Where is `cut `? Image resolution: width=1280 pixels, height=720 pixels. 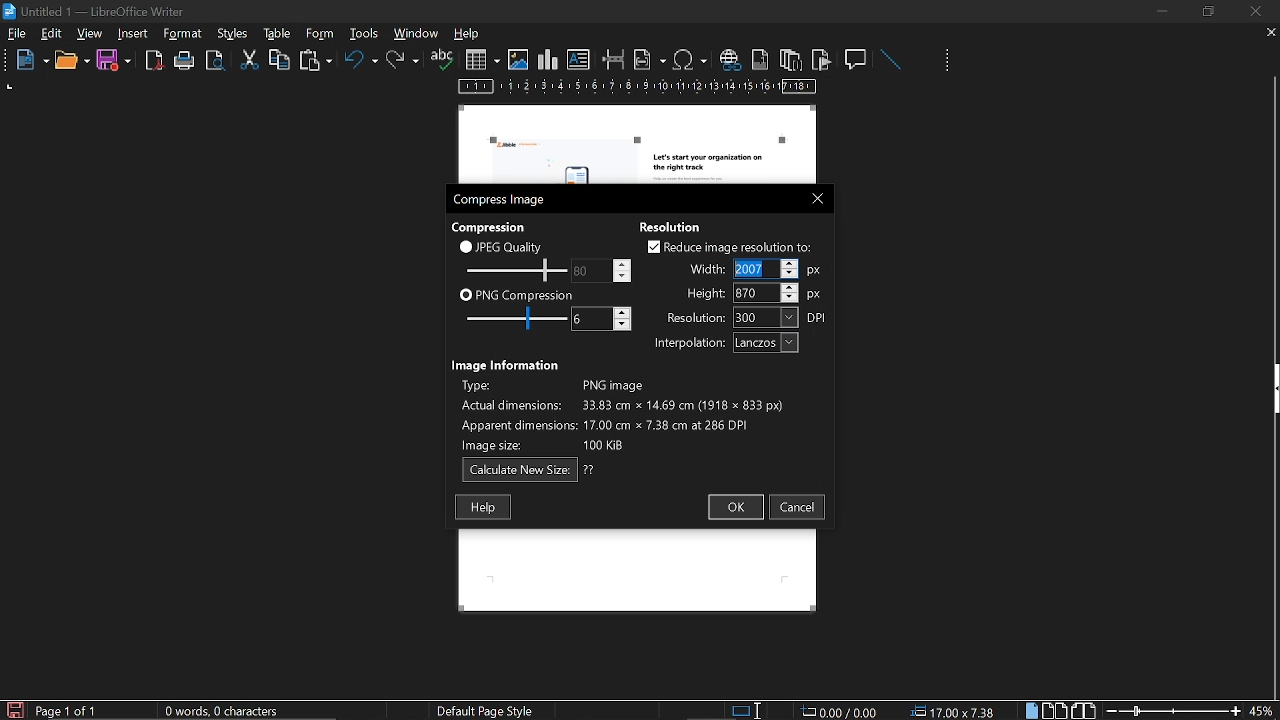 cut  is located at coordinates (250, 60).